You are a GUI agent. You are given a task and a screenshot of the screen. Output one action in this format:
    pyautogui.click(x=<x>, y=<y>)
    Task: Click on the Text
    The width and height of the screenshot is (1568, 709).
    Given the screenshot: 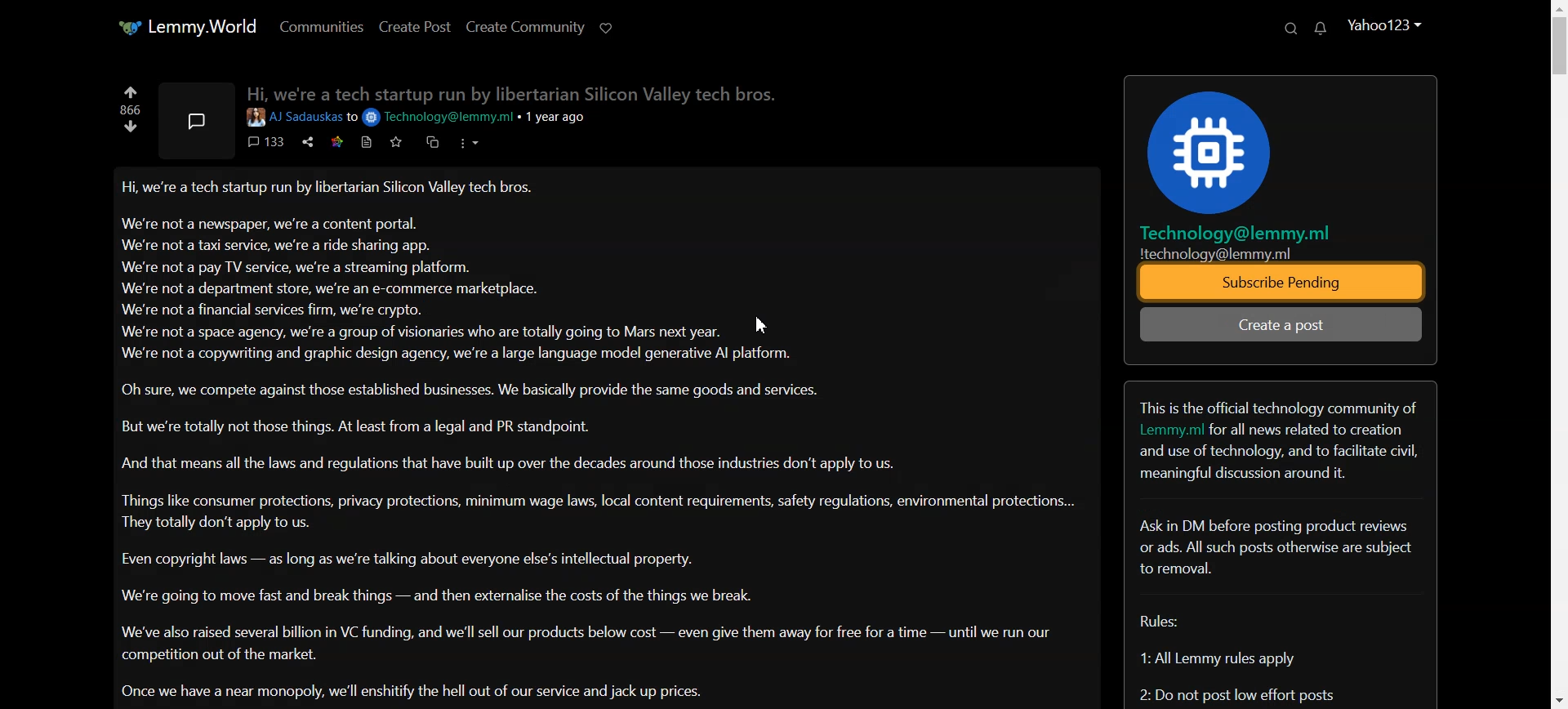 What is the action you would take?
    pyautogui.click(x=1284, y=544)
    